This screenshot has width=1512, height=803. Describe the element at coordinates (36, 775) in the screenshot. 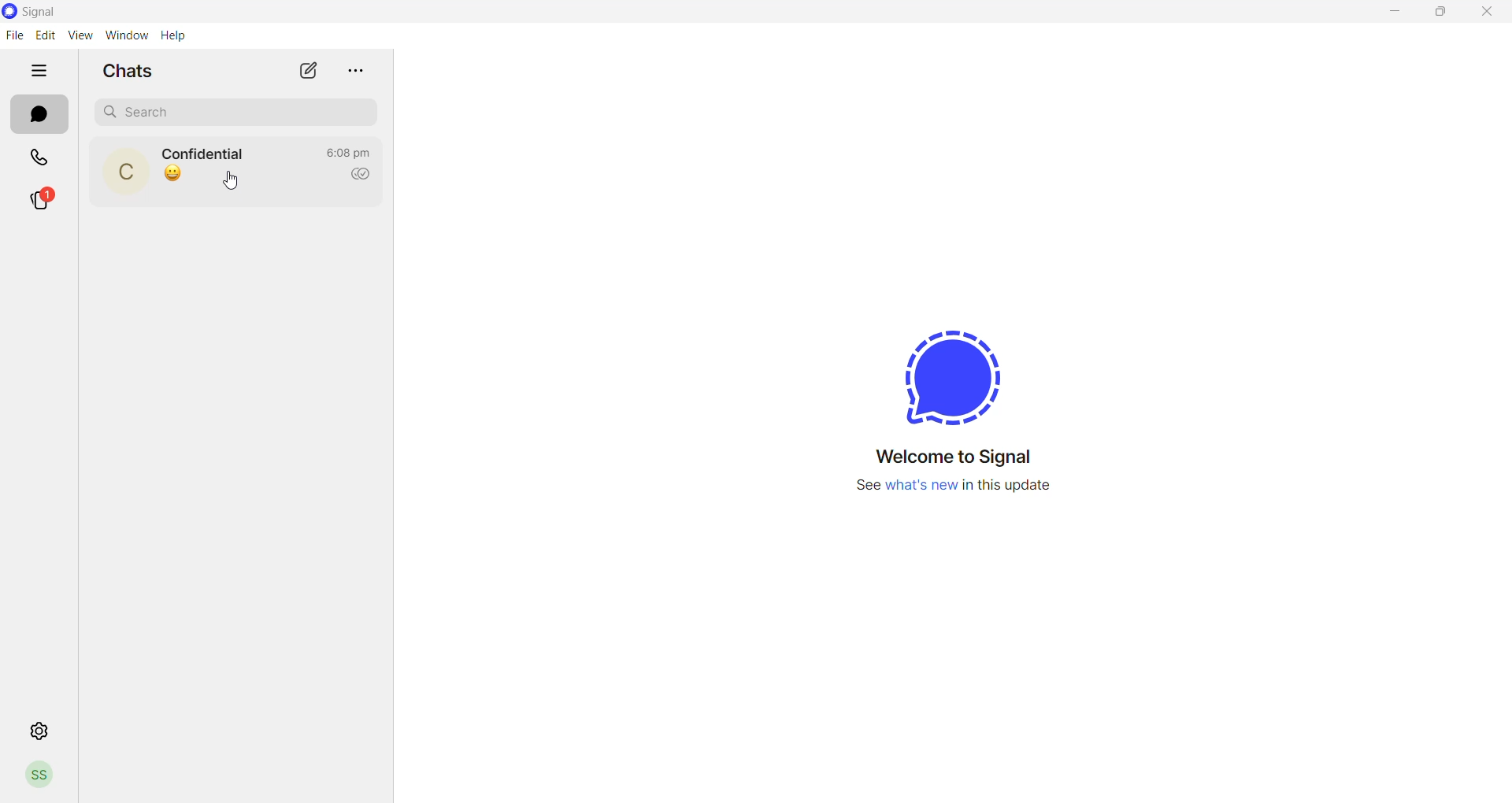

I see `profile picture` at that location.